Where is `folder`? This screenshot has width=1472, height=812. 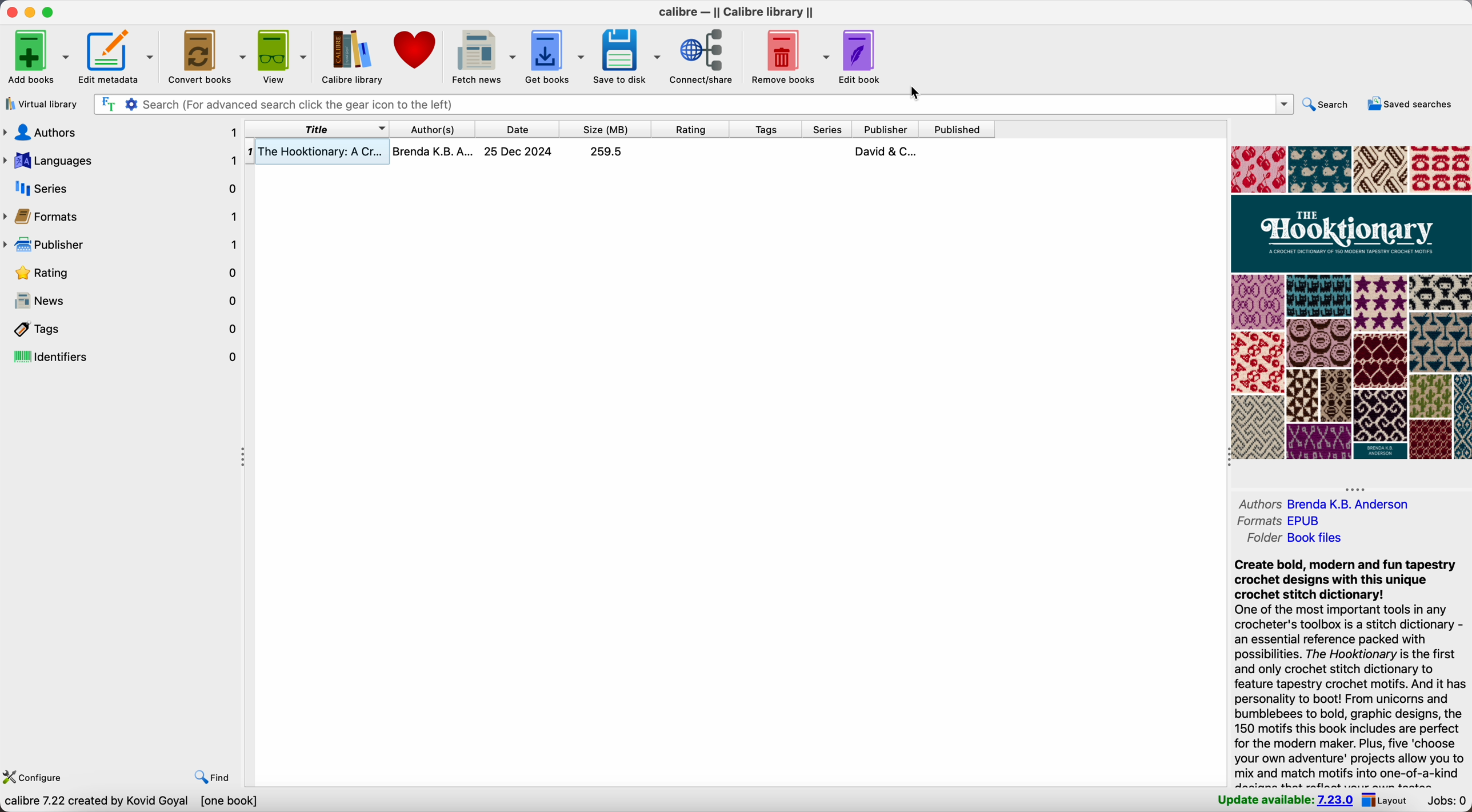
folder is located at coordinates (1303, 538).